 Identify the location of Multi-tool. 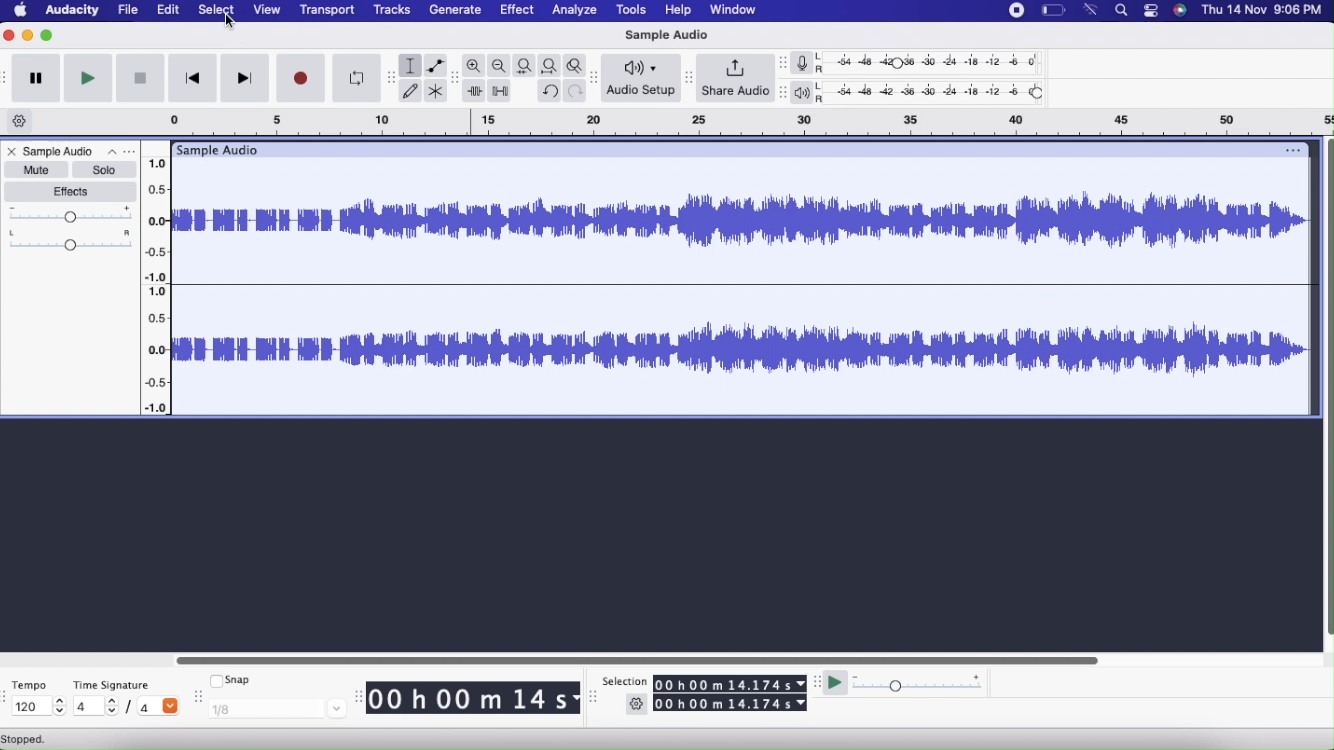
(438, 90).